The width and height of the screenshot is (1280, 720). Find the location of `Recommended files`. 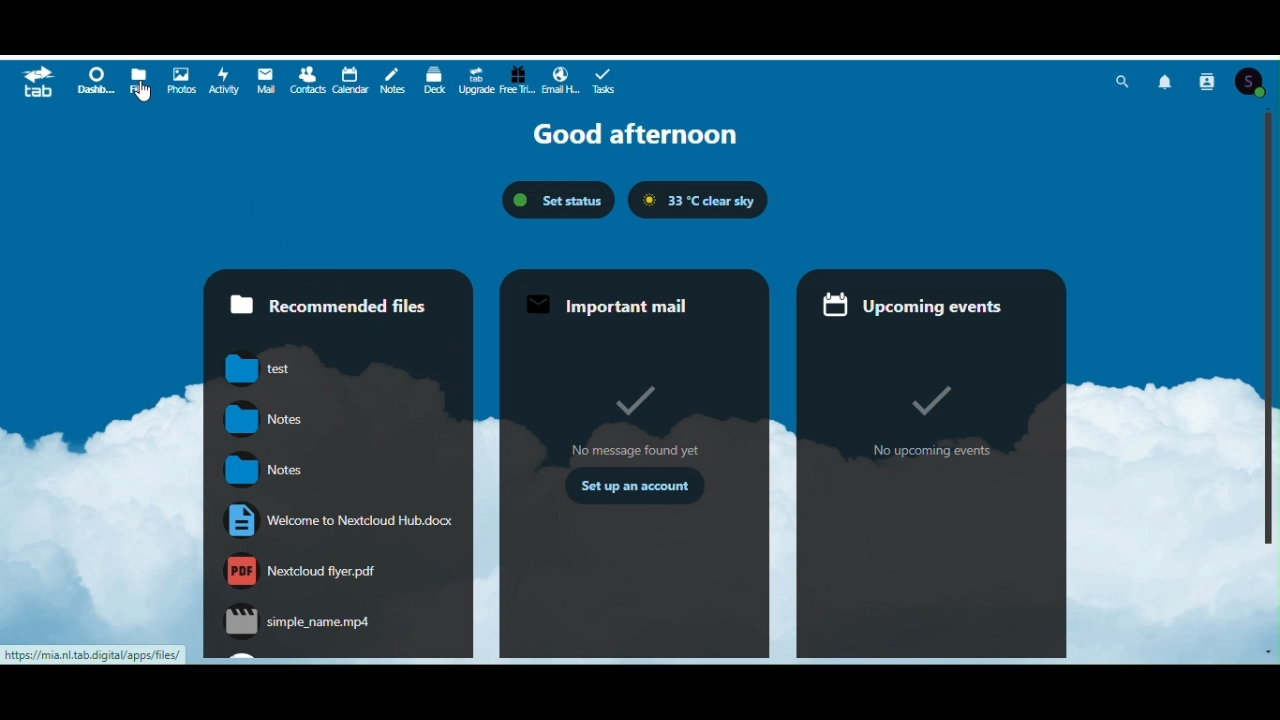

Recommended files is located at coordinates (335, 304).